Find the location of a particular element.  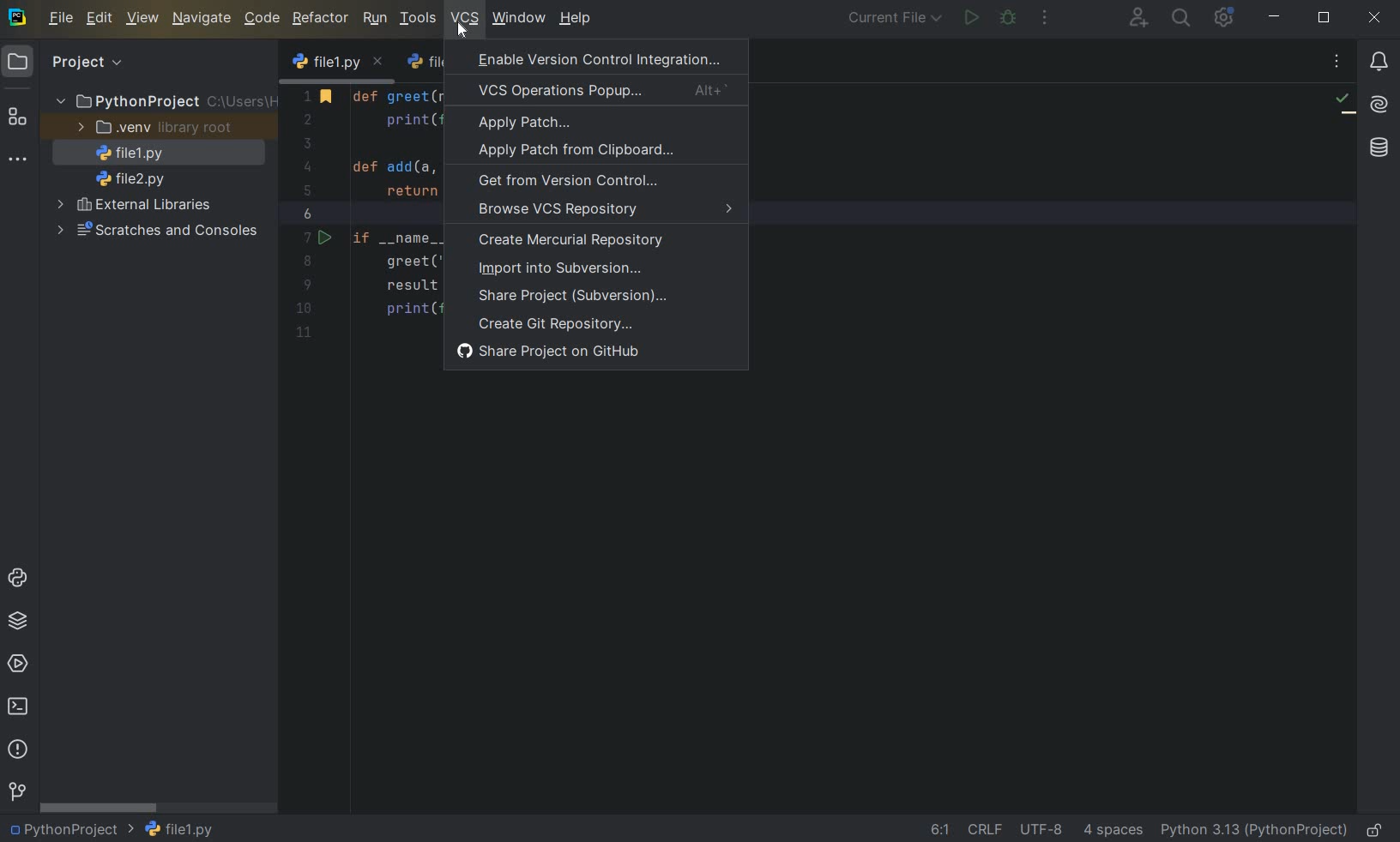

current file is located at coordinates (890, 20).